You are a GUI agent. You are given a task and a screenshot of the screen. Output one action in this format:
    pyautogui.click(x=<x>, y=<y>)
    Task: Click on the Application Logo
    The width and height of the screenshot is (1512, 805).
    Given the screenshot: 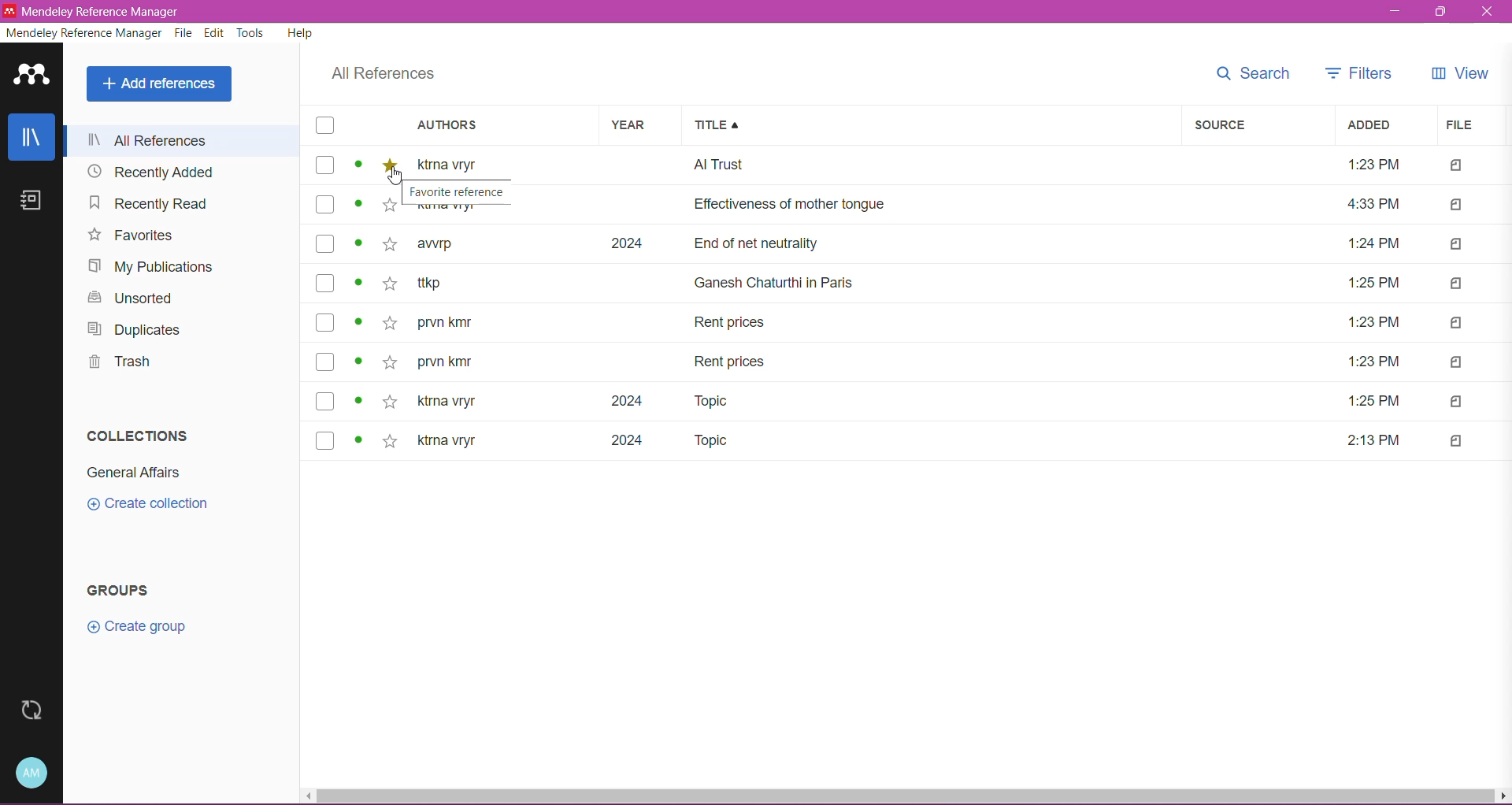 What is the action you would take?
    pyautogui.click(x=31, y=75)
    